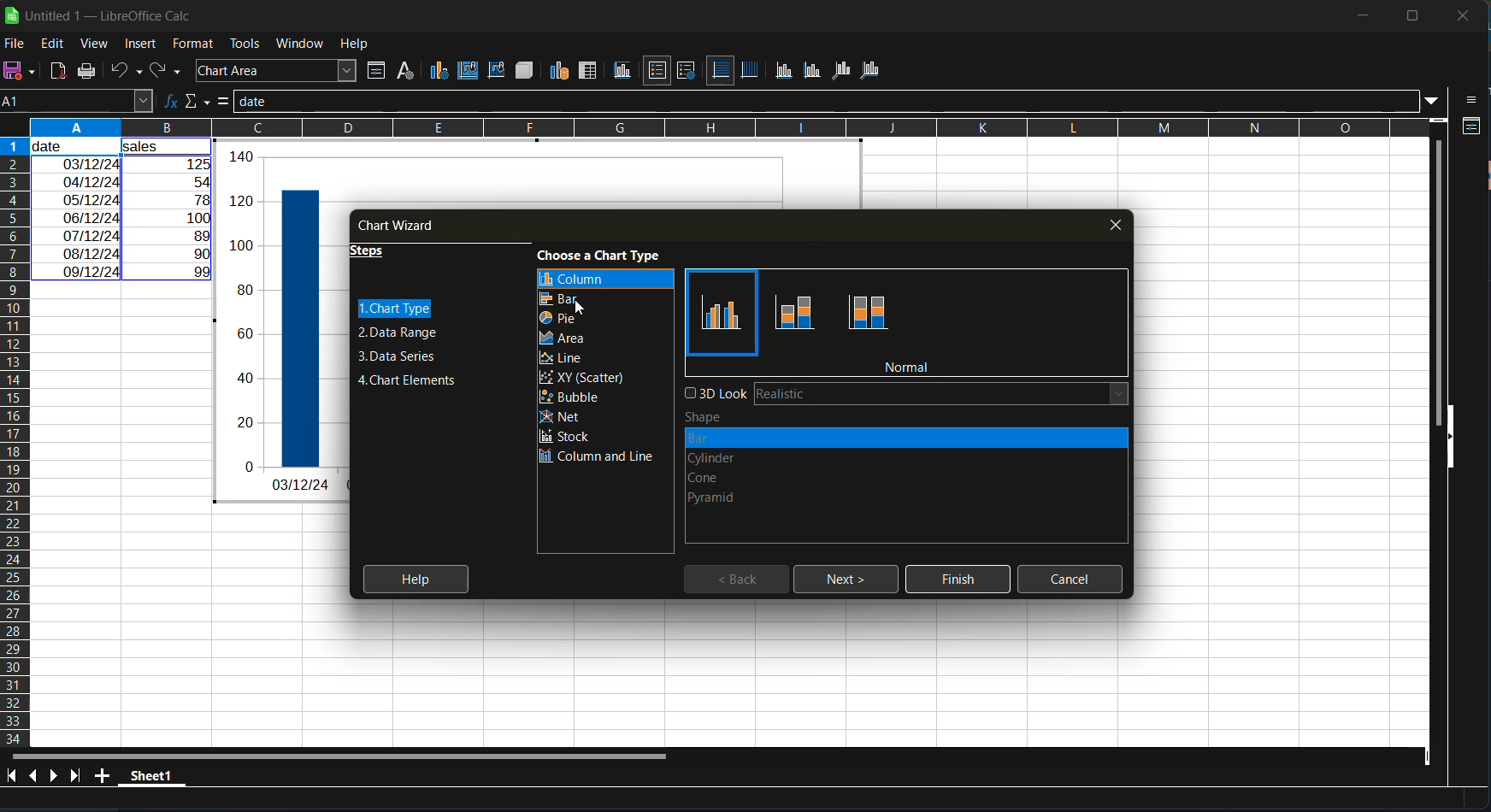 Image resolution: width=1491 pixels, height=812 pixels. Describe the element at coordinates (375, 255) in the screenshot. I see `steps` at that location.